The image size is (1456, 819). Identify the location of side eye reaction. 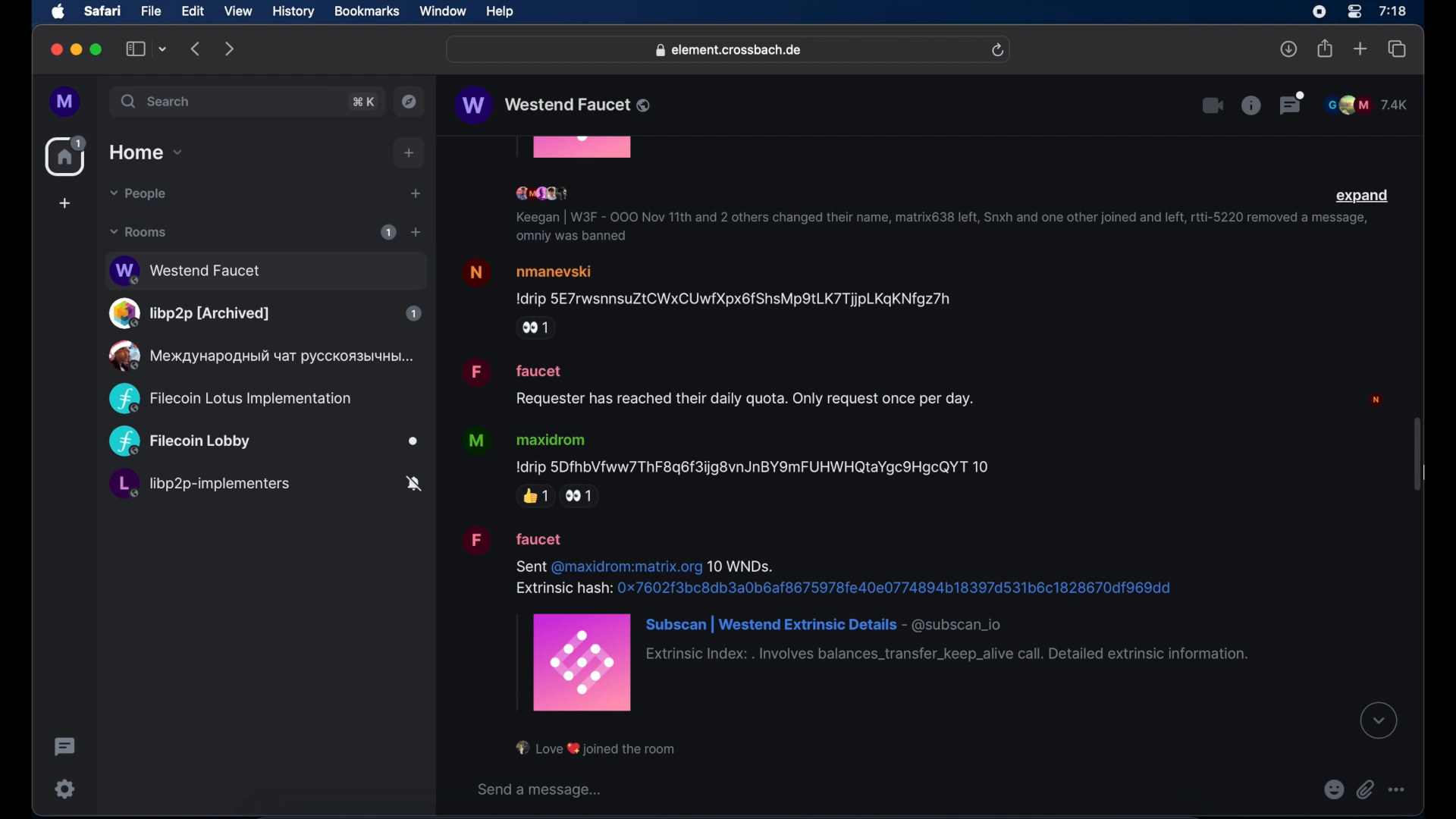
(536, 328).